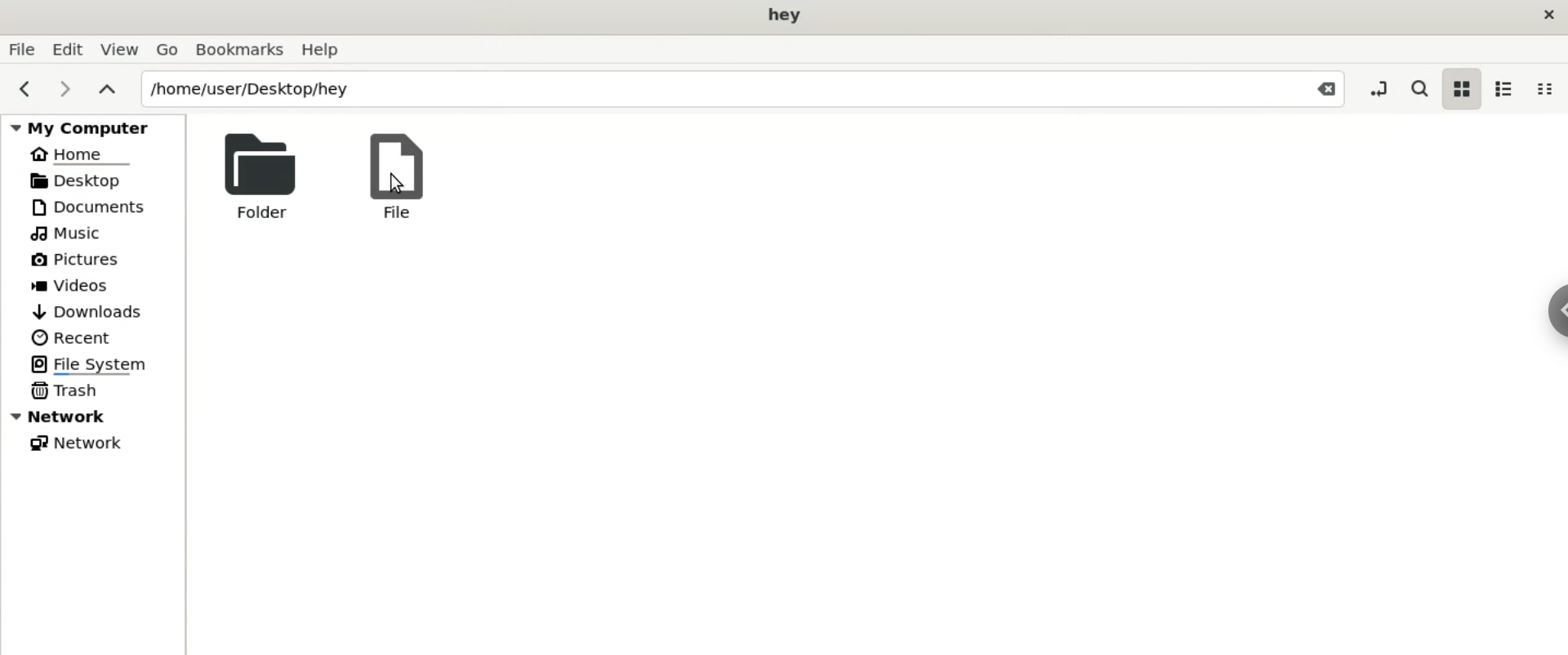  What do you see at coordinates (252, 176) in the screenshot?
I see `folder` at bounding box center [252, 176].